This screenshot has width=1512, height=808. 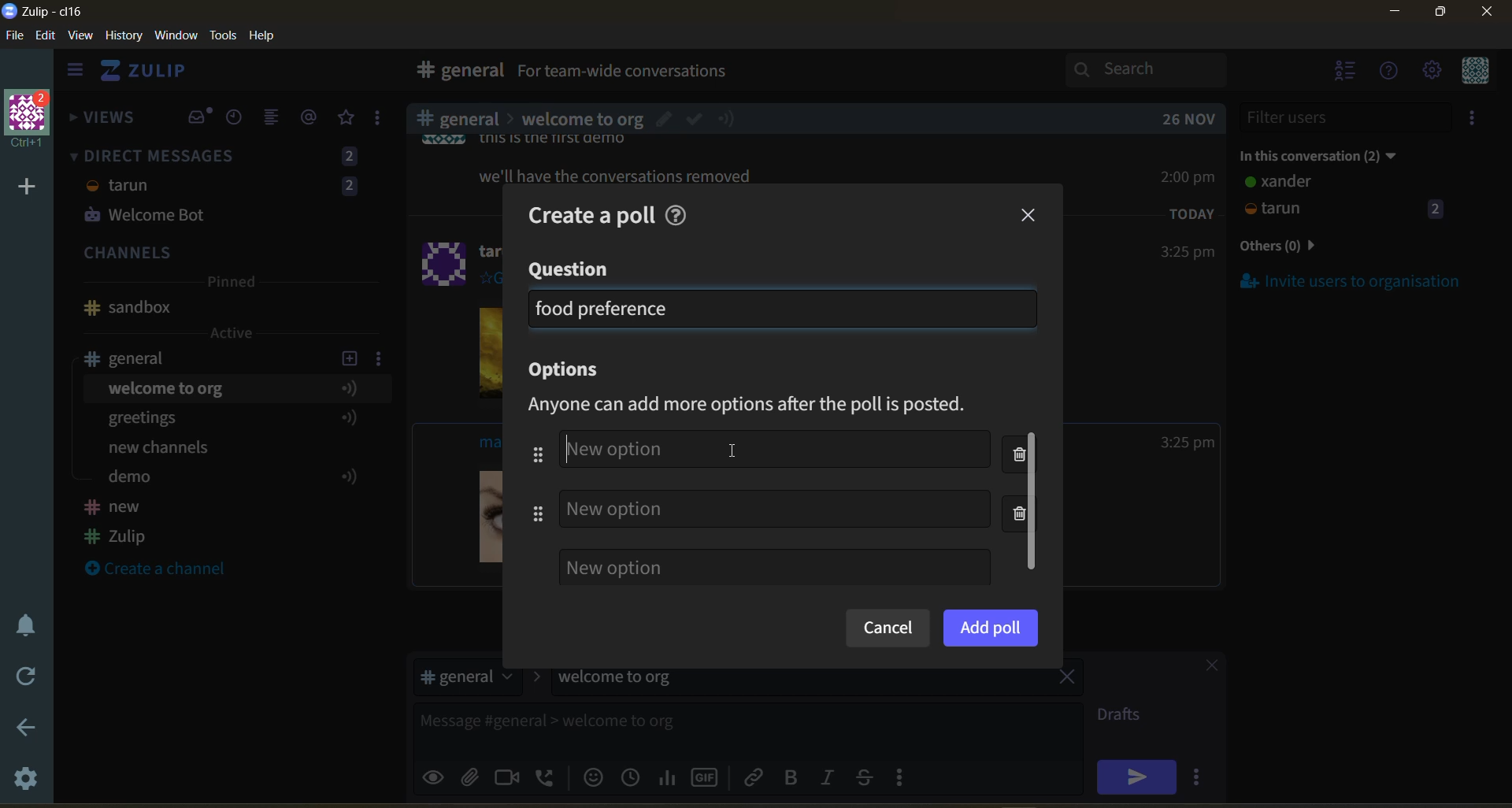 I want to click on close, so click(x=1030, y=216).